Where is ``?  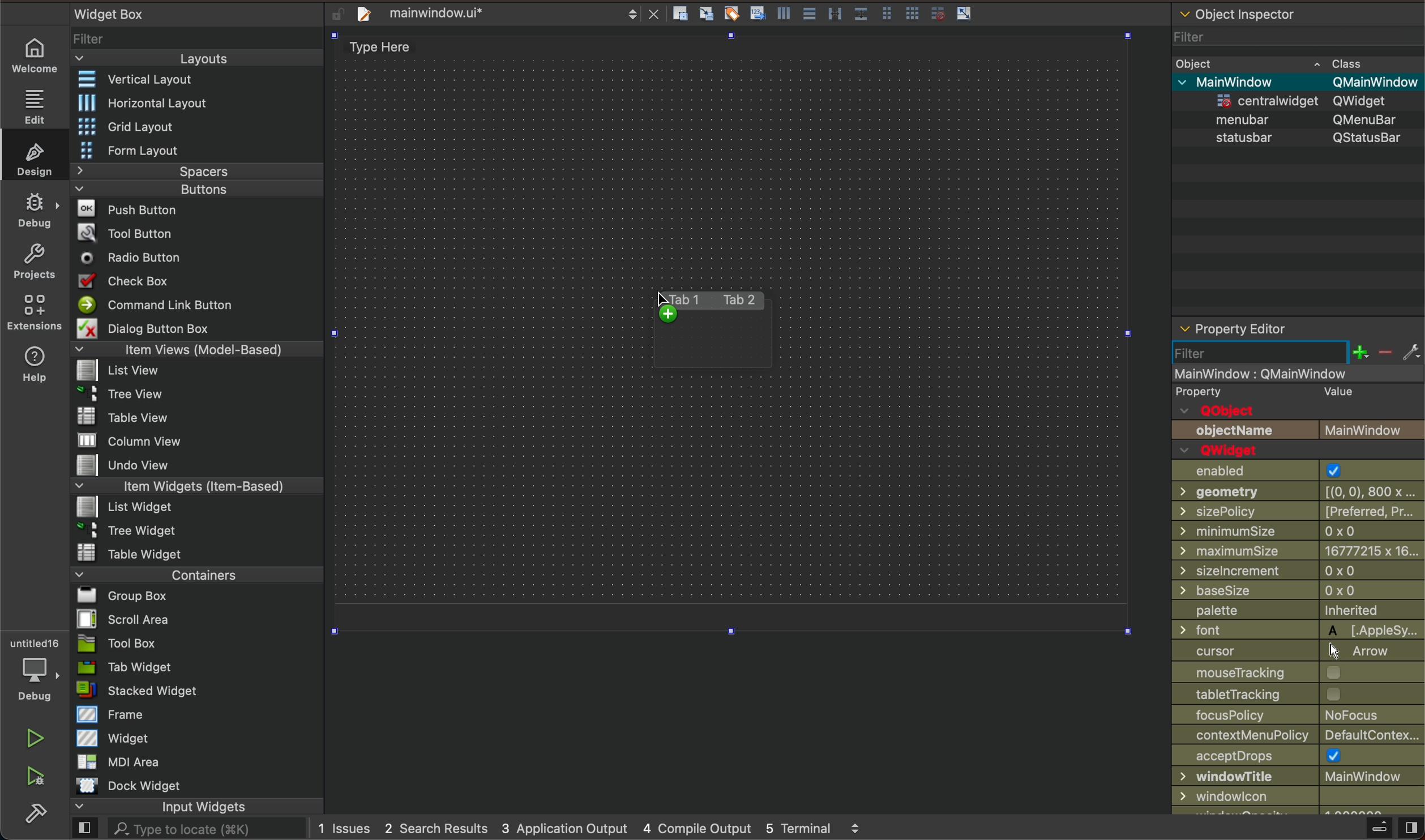
 is located at coordinates (1299, 552).